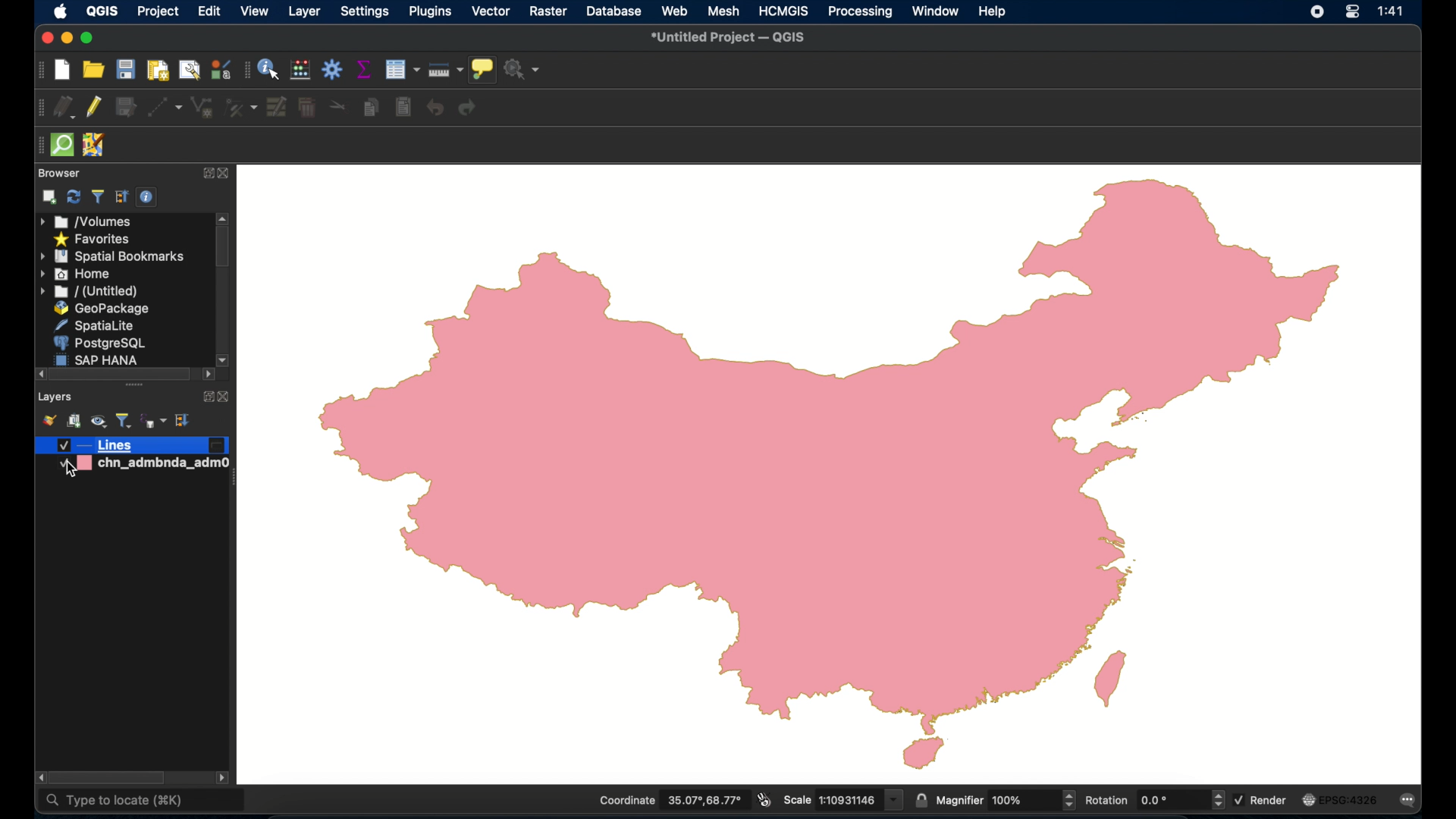 The height and width of the screenshot is (819, 1456). I want to click on scroll box, so click(222, 249).